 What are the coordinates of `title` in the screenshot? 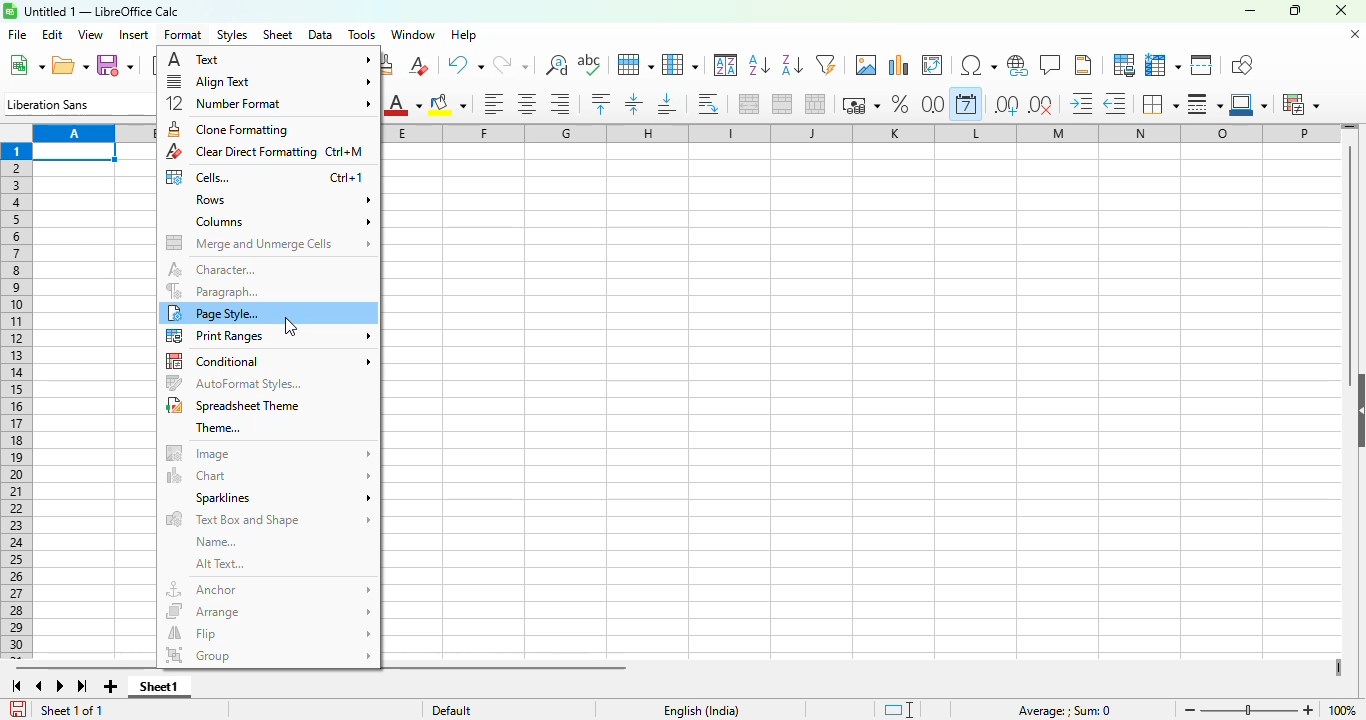 It's located at (102, 11).